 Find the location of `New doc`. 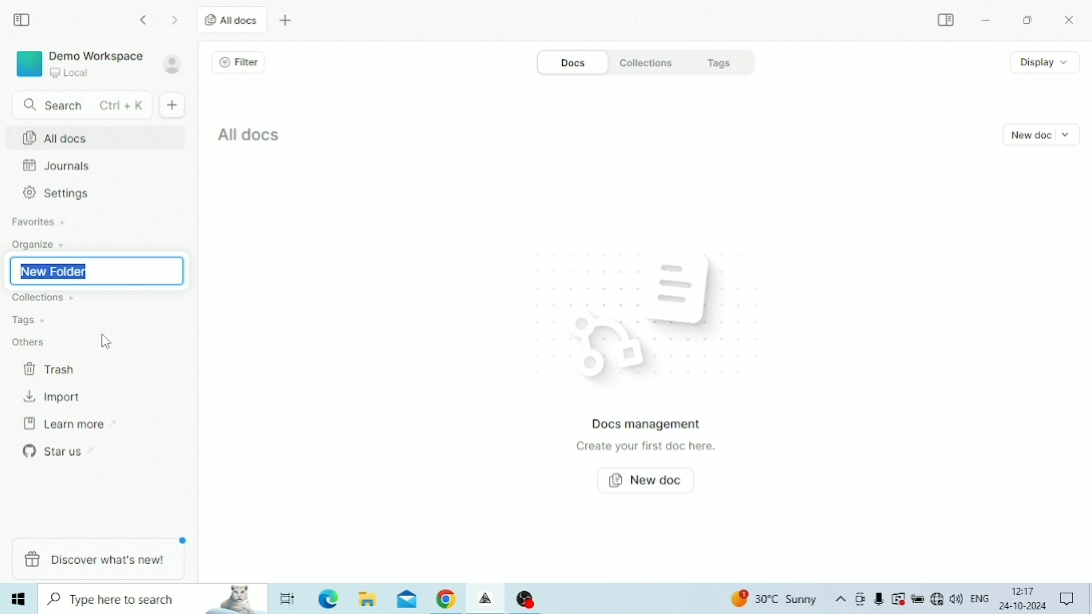

New doc is located at coordinates (174, 105).